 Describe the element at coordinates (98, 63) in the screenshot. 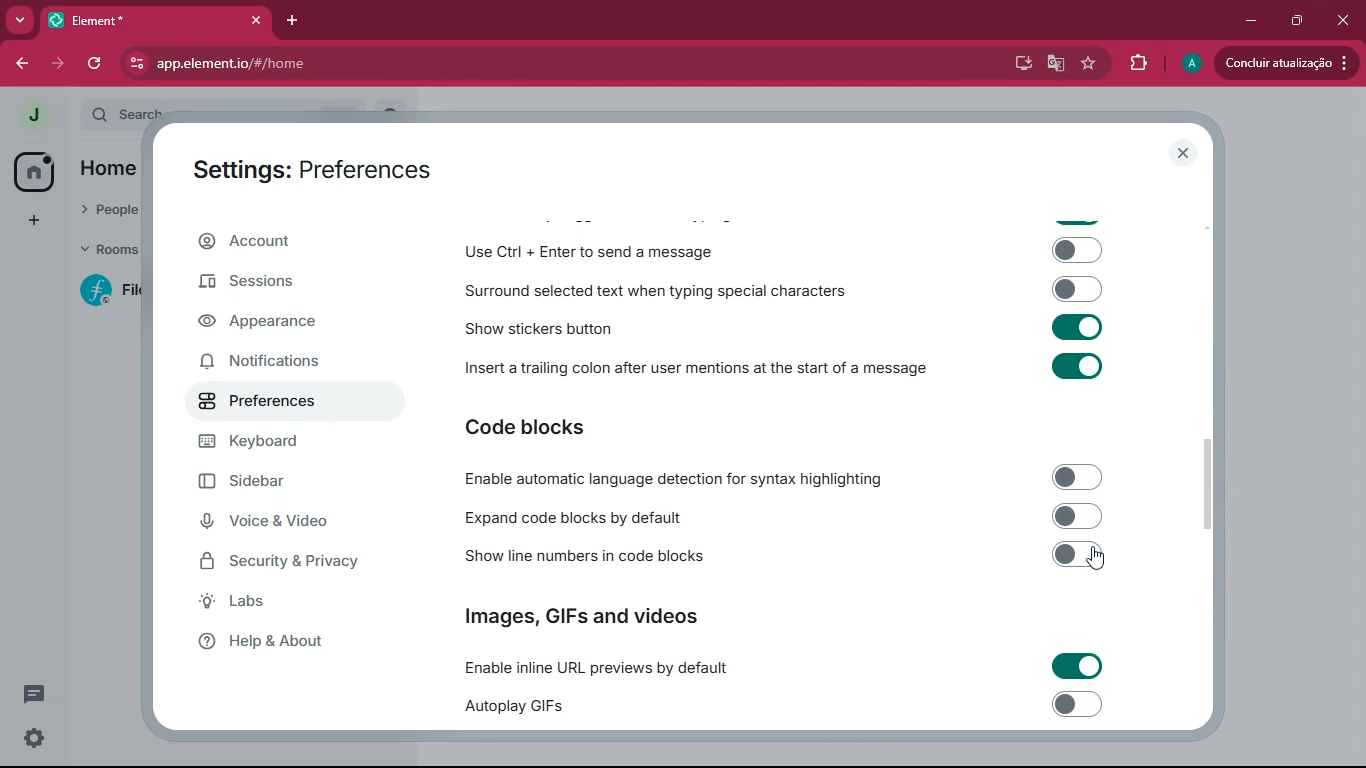

I see `refresh` at that location.